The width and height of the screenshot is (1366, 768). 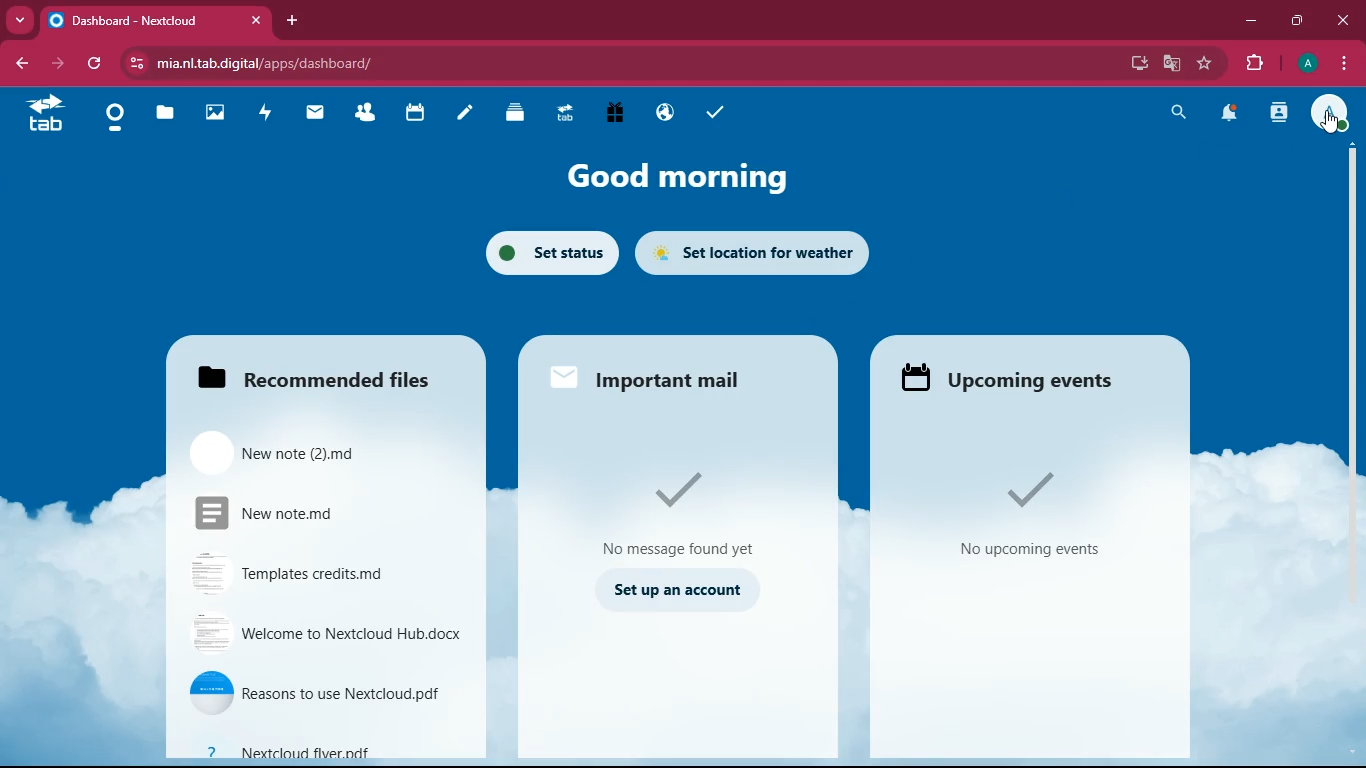 I want to click on layers, so click(x=517, y=115).